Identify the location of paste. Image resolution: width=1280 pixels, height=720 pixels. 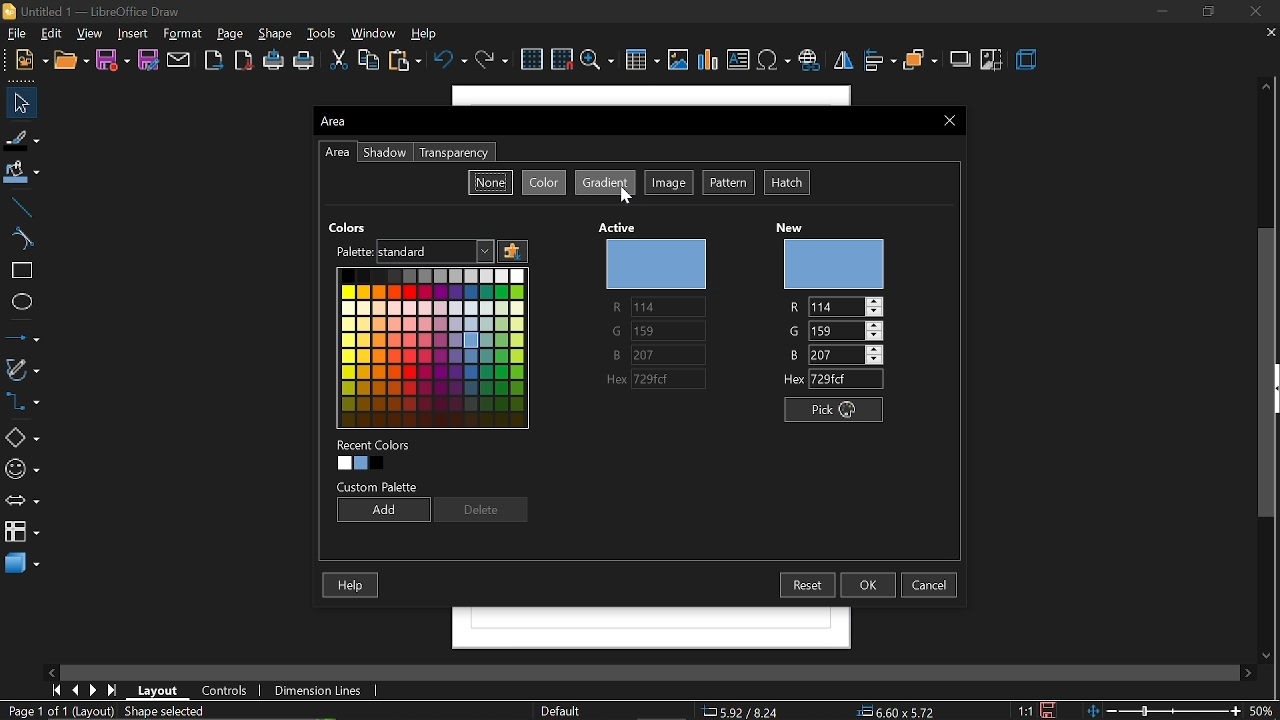
(406, 62).